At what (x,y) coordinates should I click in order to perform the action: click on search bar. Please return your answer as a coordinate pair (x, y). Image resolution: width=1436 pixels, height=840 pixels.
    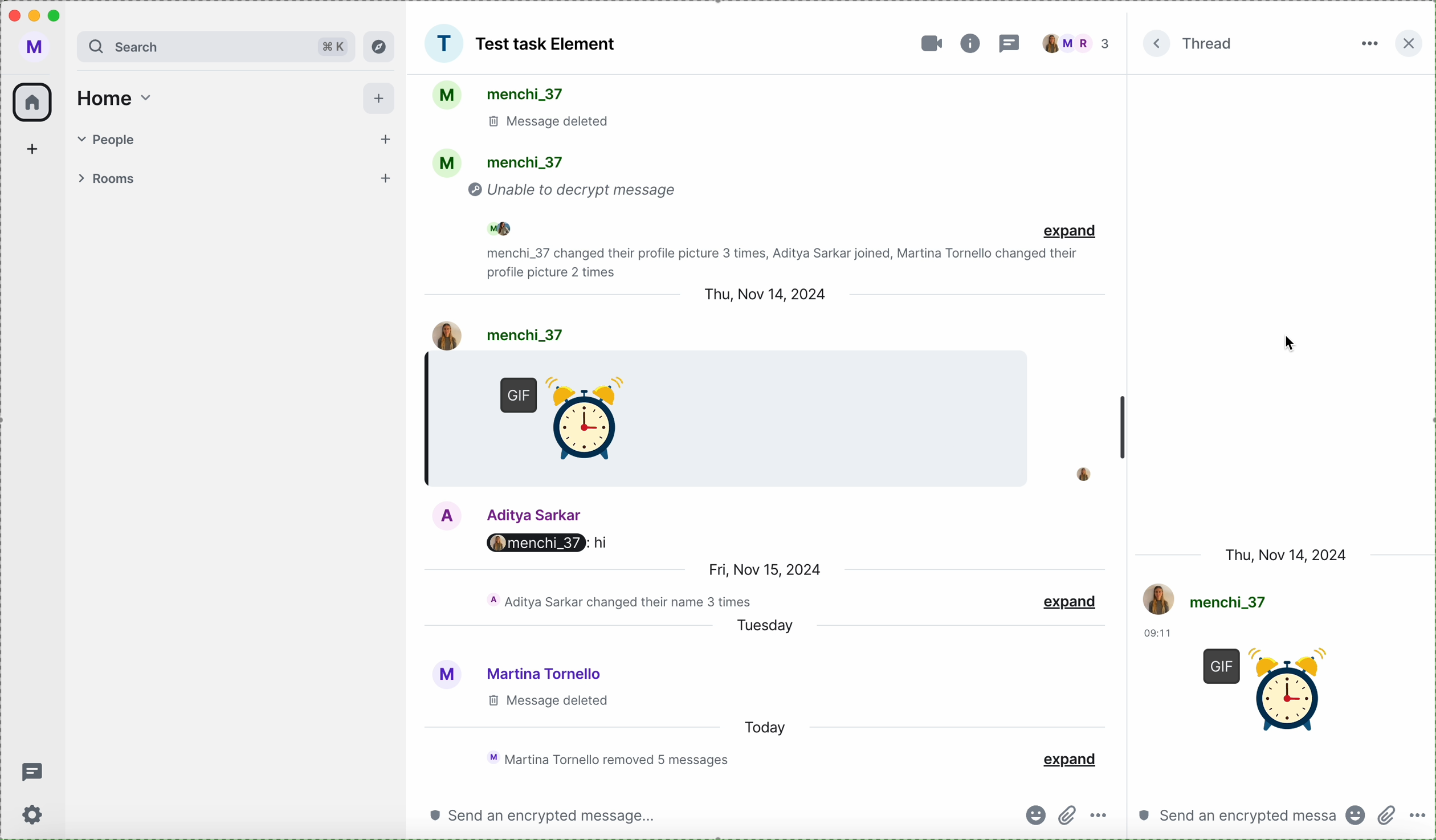
    Looking at the image, I should click on (216, 46).